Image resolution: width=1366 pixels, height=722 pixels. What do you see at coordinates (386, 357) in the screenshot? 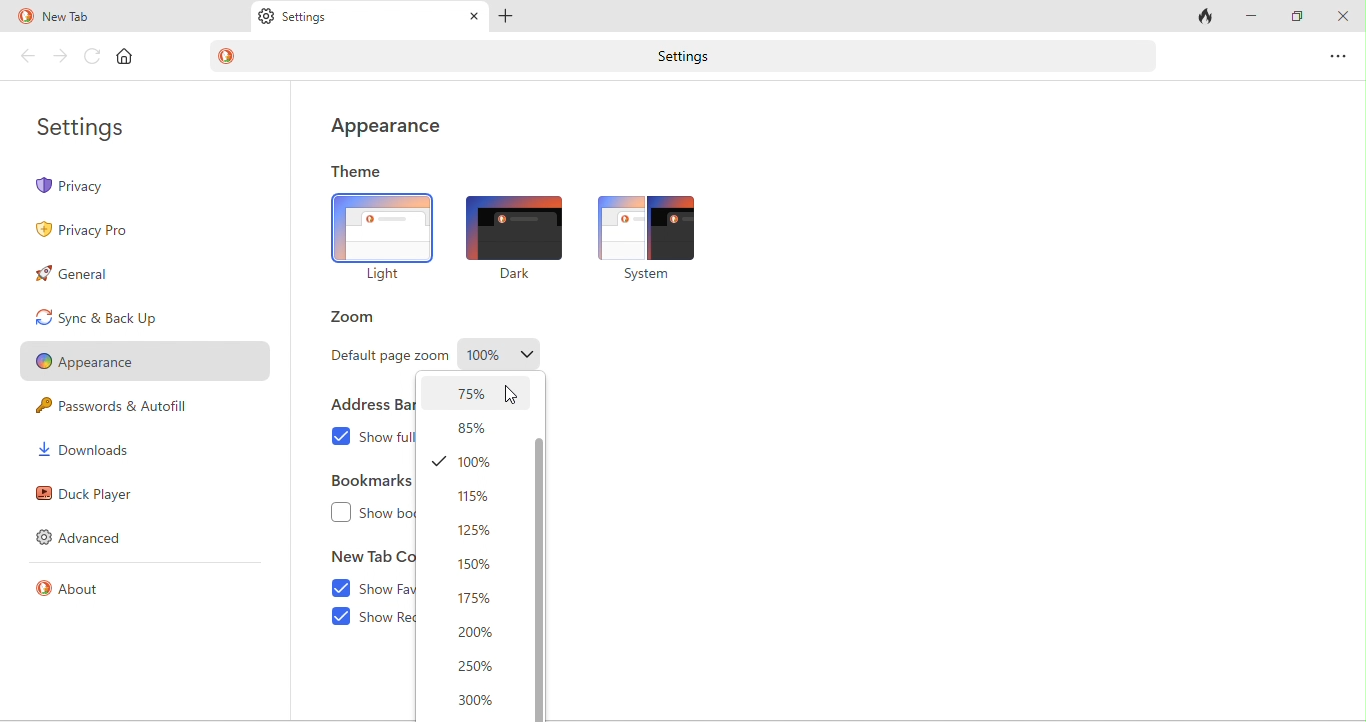
I see `default page zoom` at bounding box center [386, 357].